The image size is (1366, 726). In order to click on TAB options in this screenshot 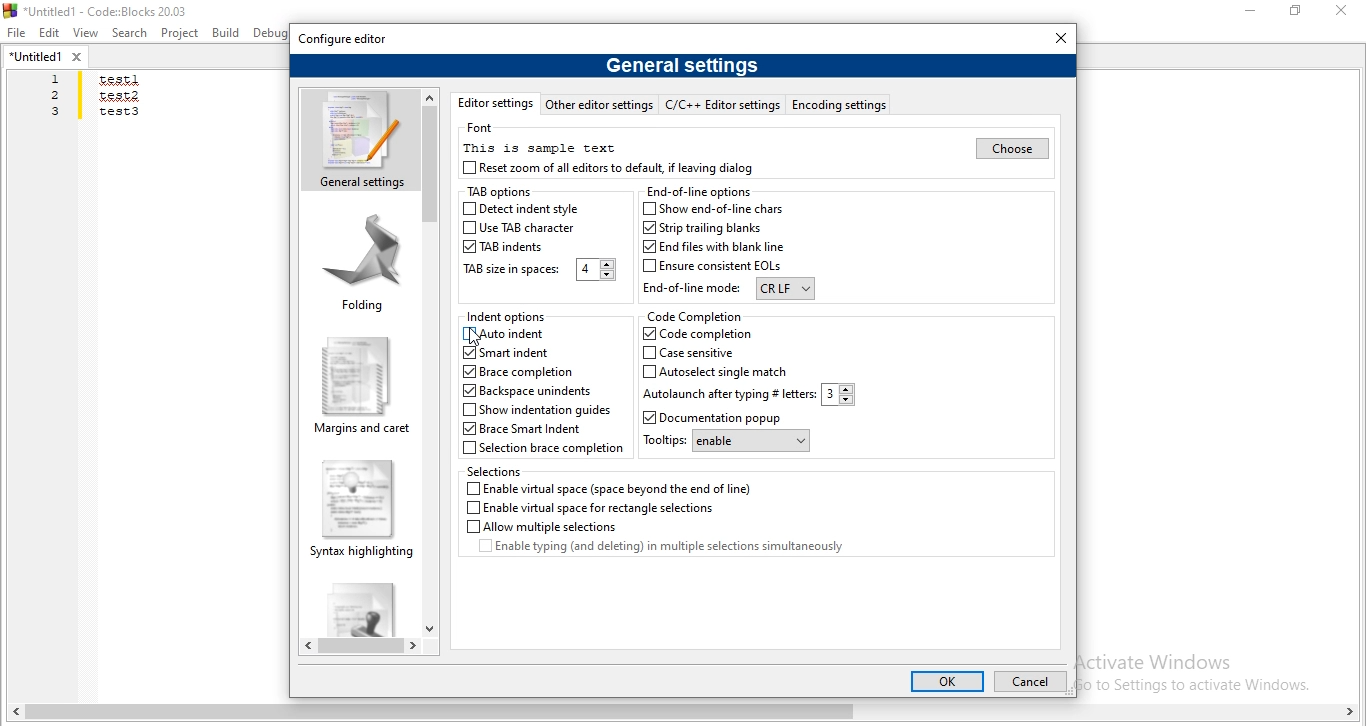, I will do `click(497, 193)`.